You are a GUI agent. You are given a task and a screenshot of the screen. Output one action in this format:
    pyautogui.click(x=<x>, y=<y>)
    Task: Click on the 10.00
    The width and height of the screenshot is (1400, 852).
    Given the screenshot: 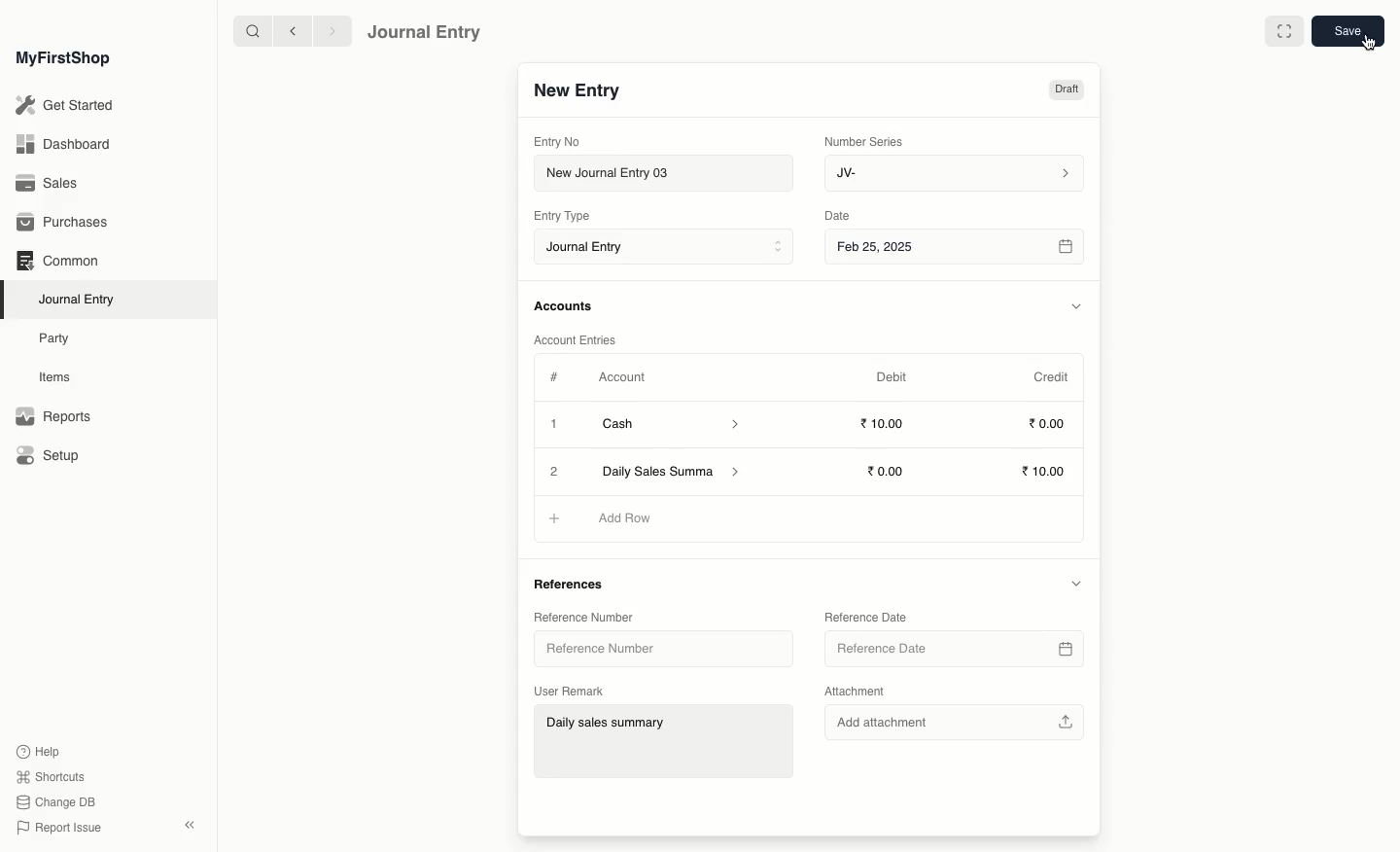 What is the action you would take?
    pyautogui.click(x=1046, y=473)
    